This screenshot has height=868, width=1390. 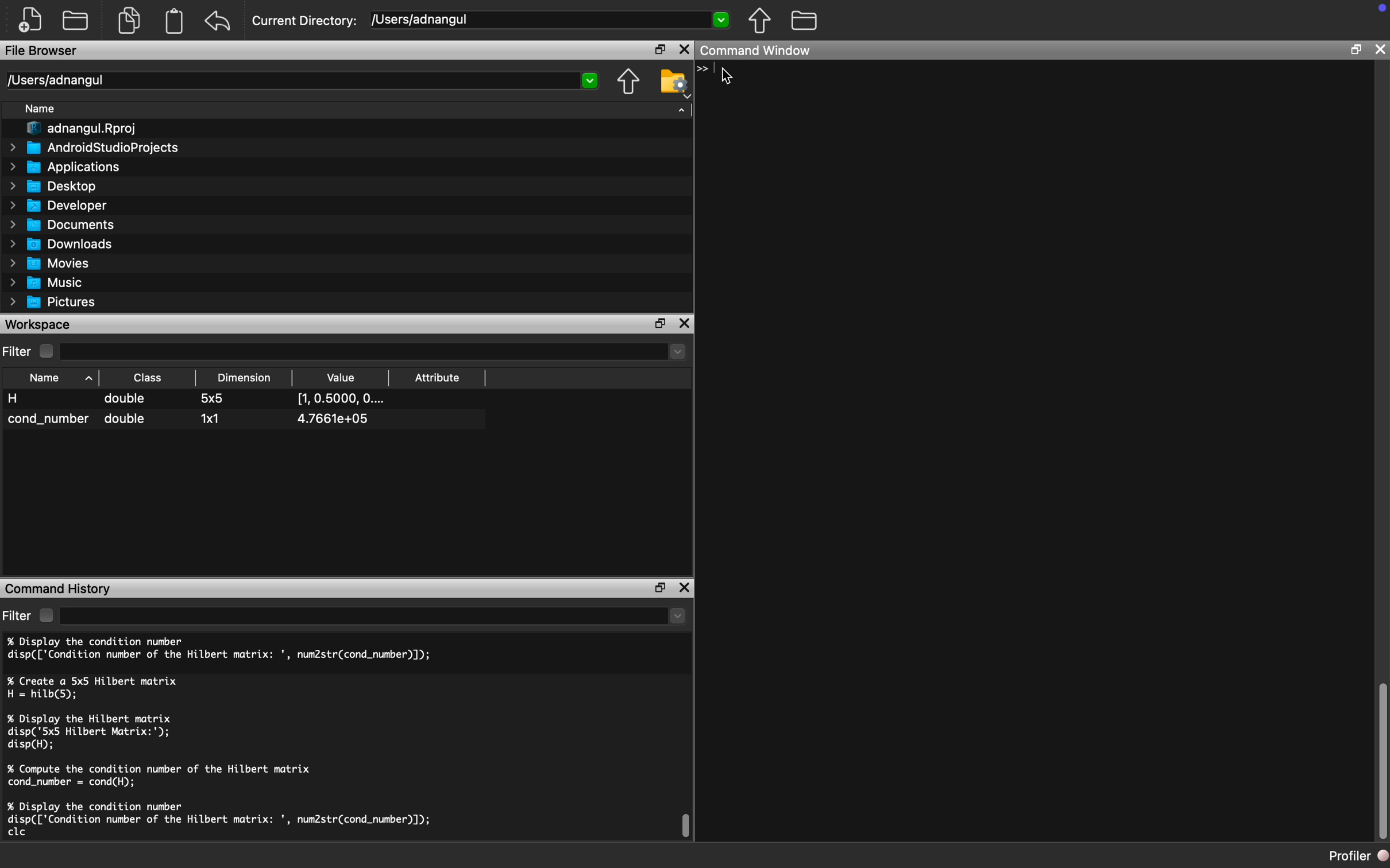 What do you see at coordinates (1380, 50) in the screenshot?
I see `Close` at bounding box center [1380, 50].